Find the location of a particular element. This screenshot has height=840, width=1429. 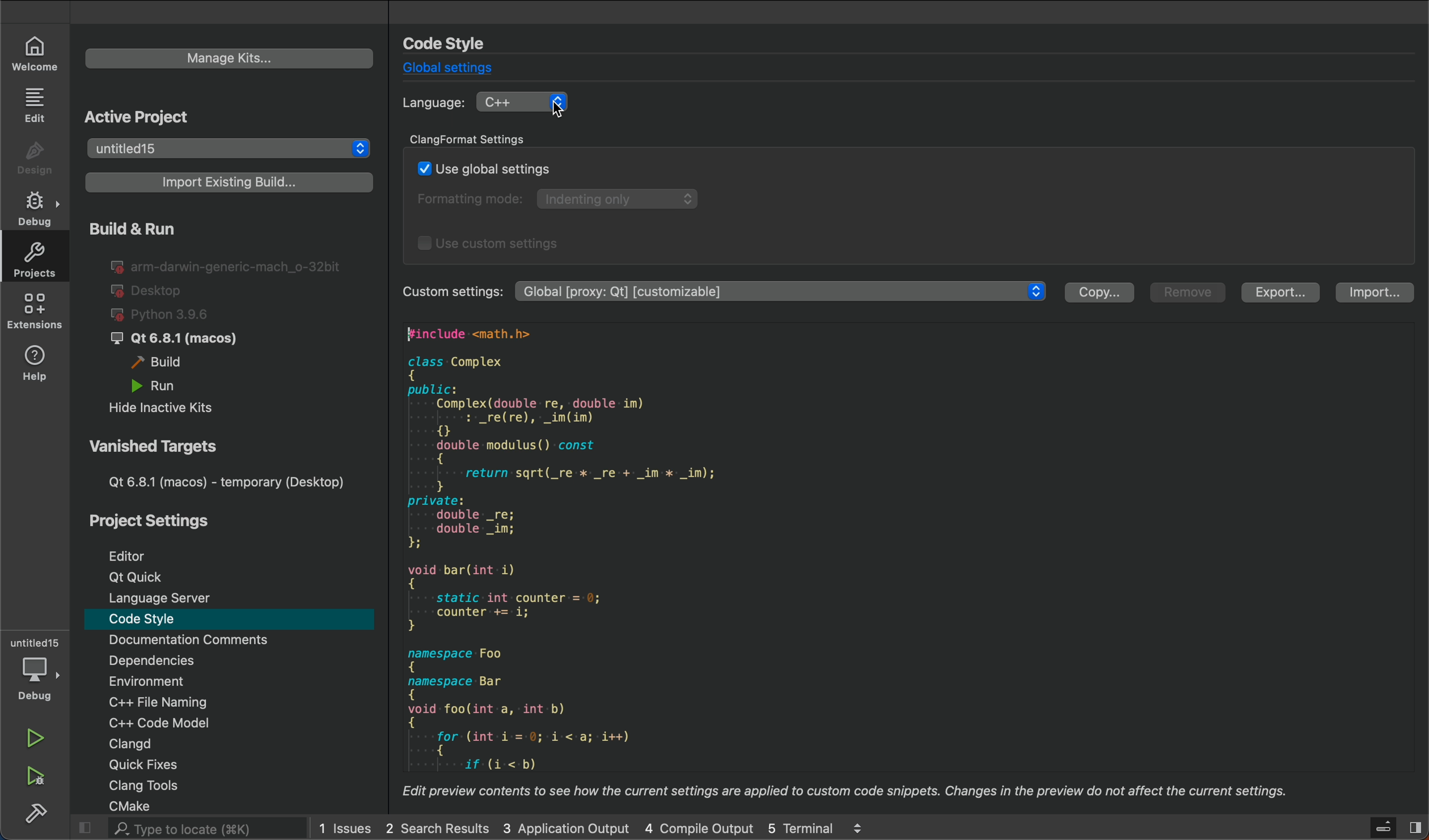

project select is located at coordinates (230, 150).